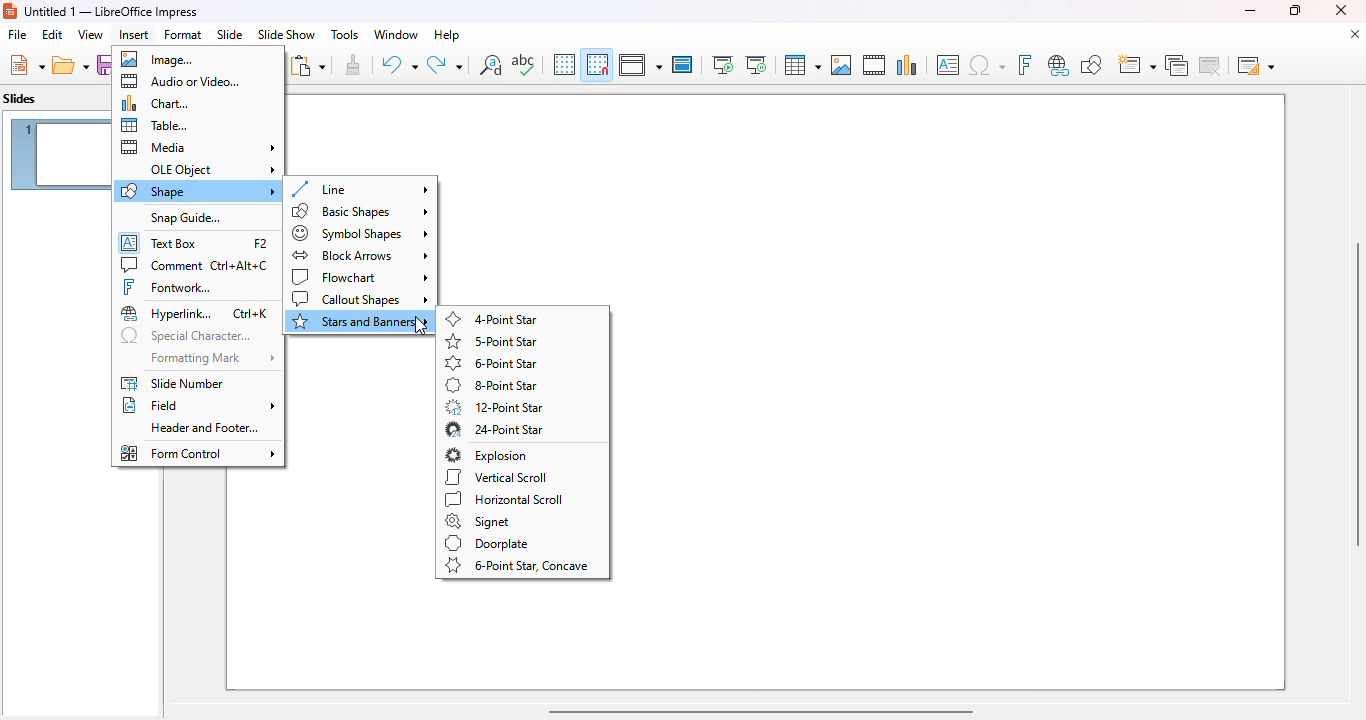 The image size is (1366, 720). What do you see at coordinates (286, 35) in the screenshot?
I see `slide show` at bounding box center [286, 35].